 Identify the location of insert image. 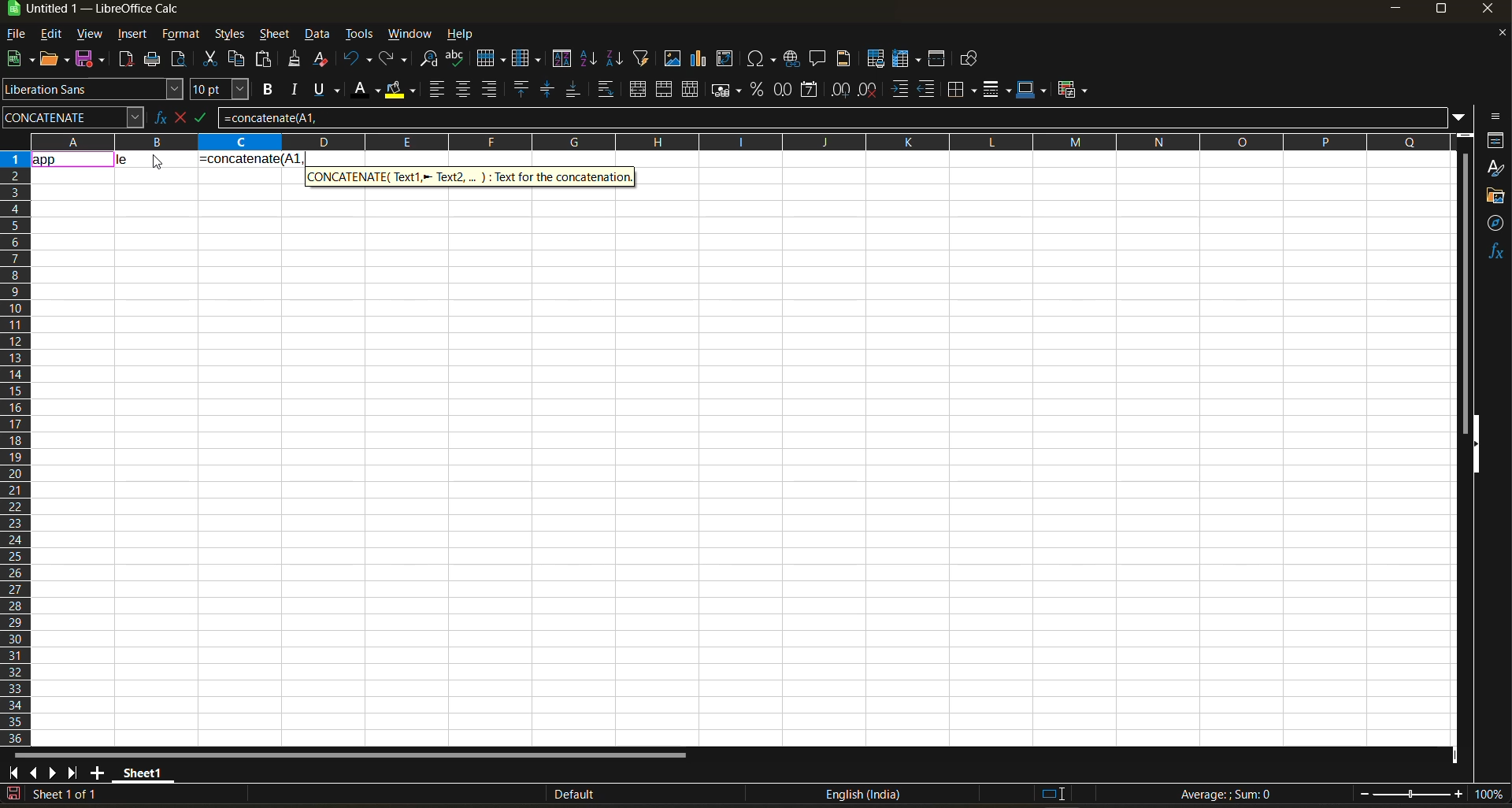
(672, 58).